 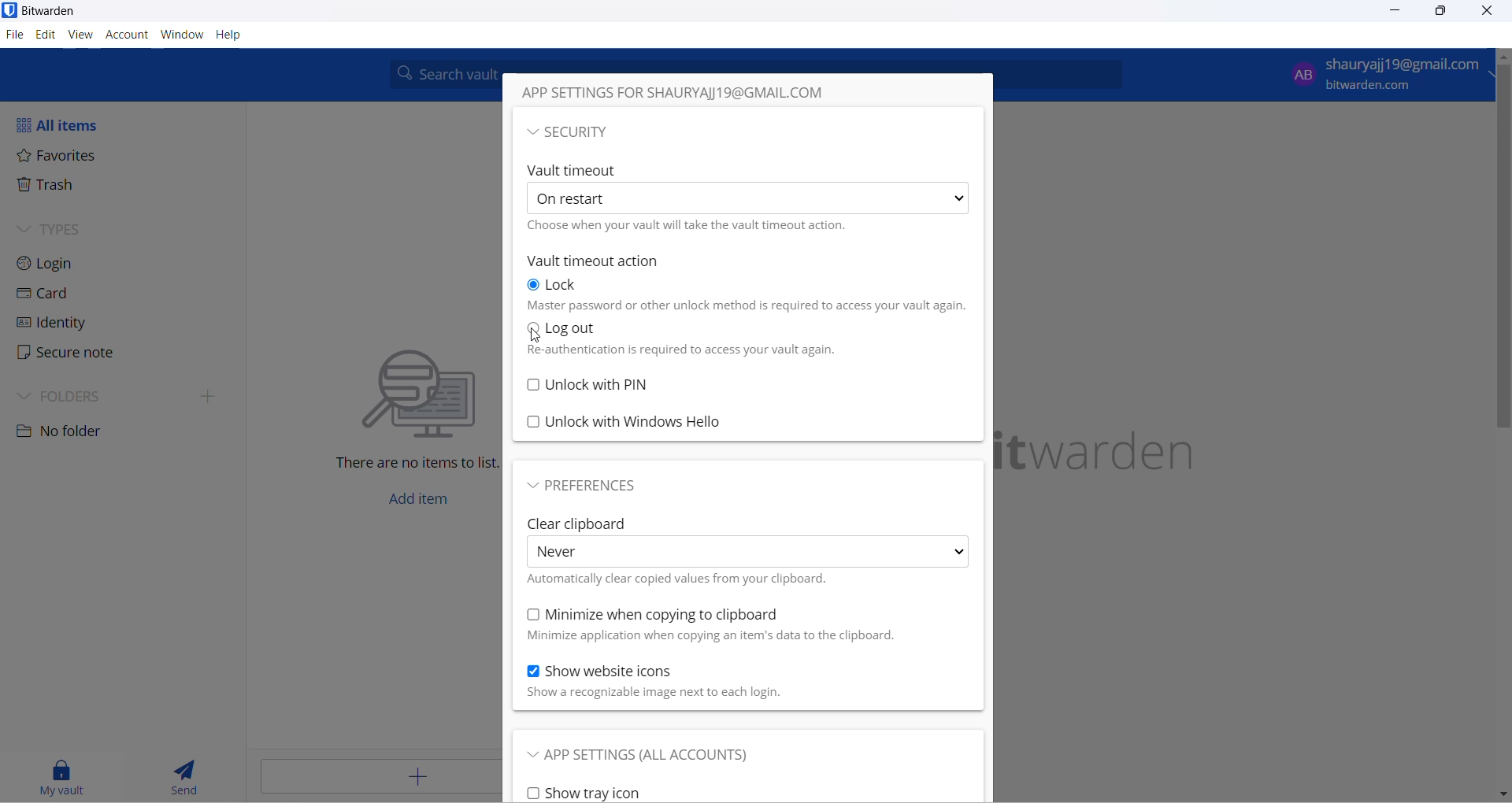 I want to click on file , so click(x=17, y=37).